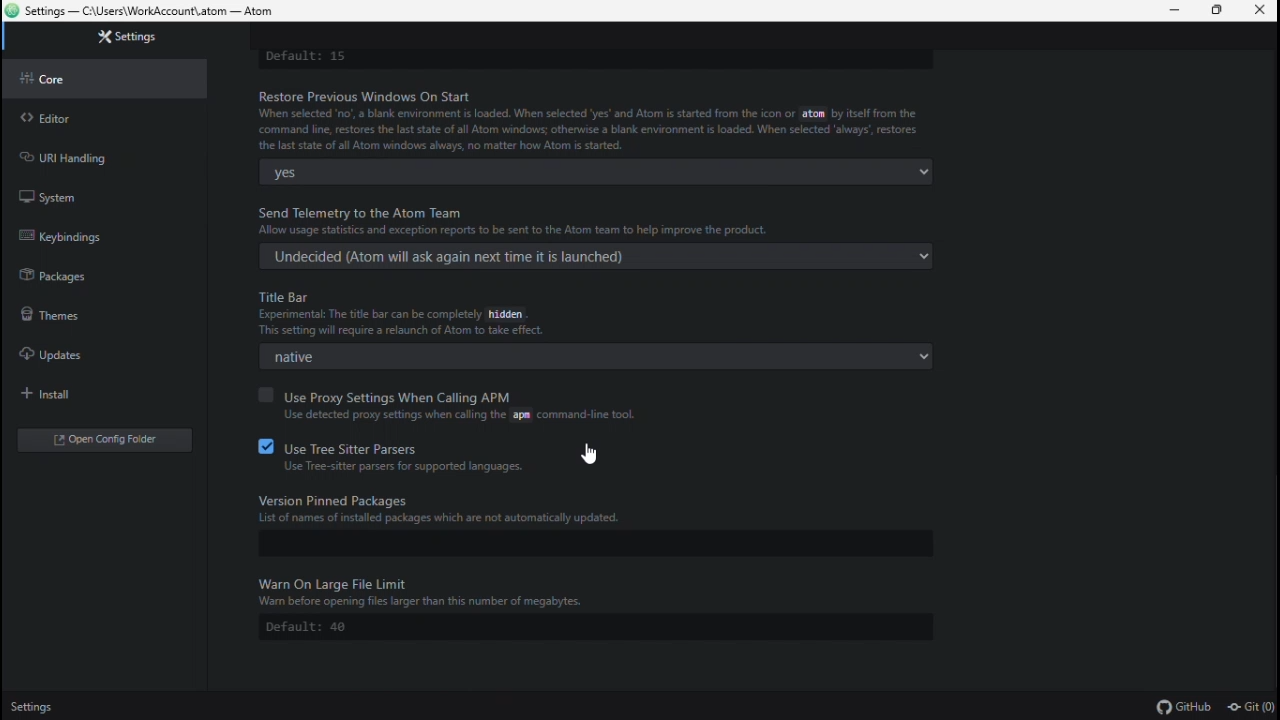  Describe the element at coordinates (589, 457) in the screenshot. I see `Cursor` at that location.